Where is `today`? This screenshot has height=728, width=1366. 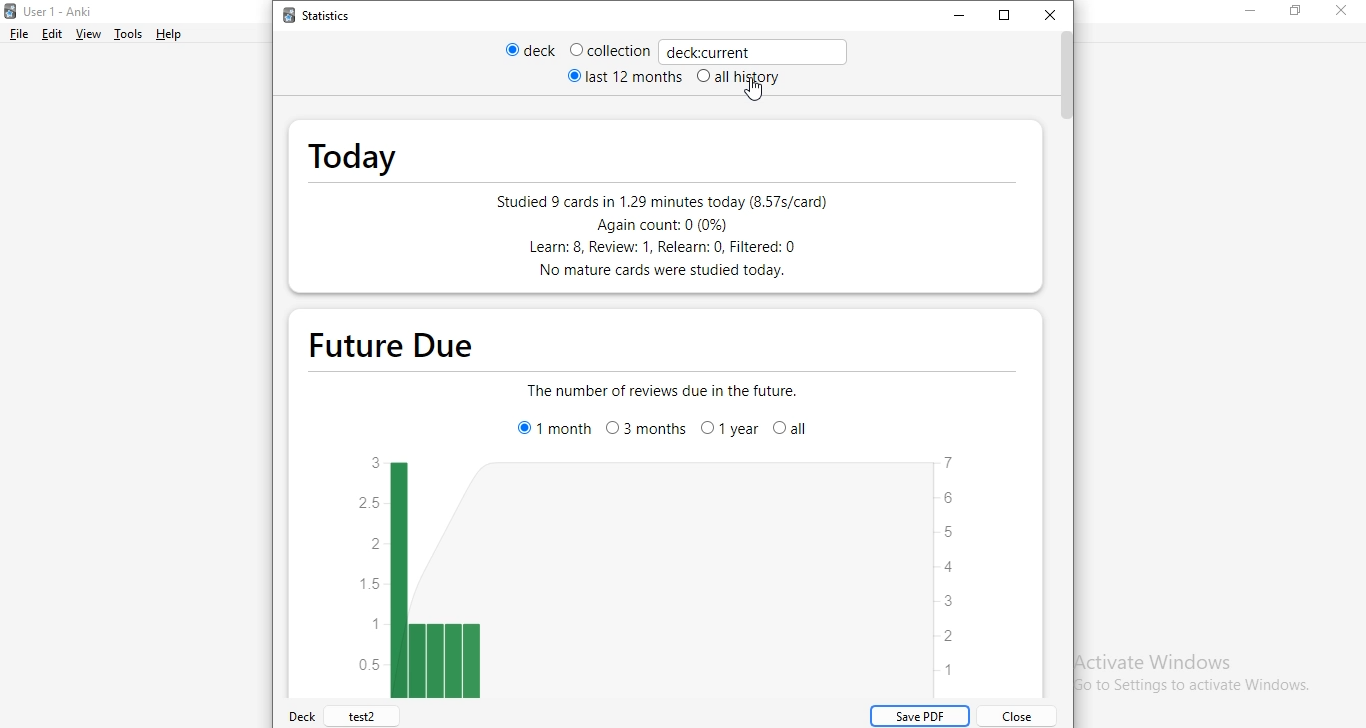
today is located at coordinates (356, 150).